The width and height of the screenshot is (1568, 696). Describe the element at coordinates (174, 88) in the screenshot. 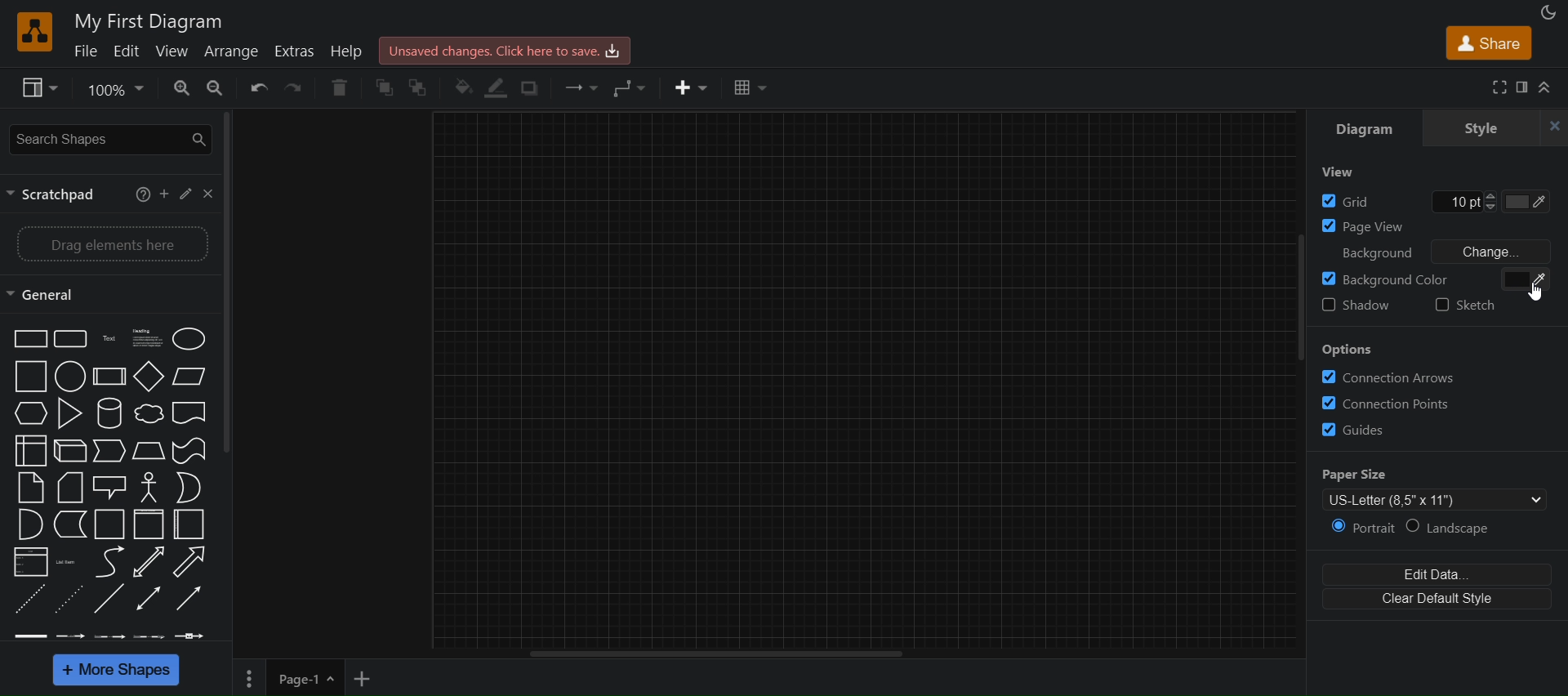

I see `zoom in` at that location.